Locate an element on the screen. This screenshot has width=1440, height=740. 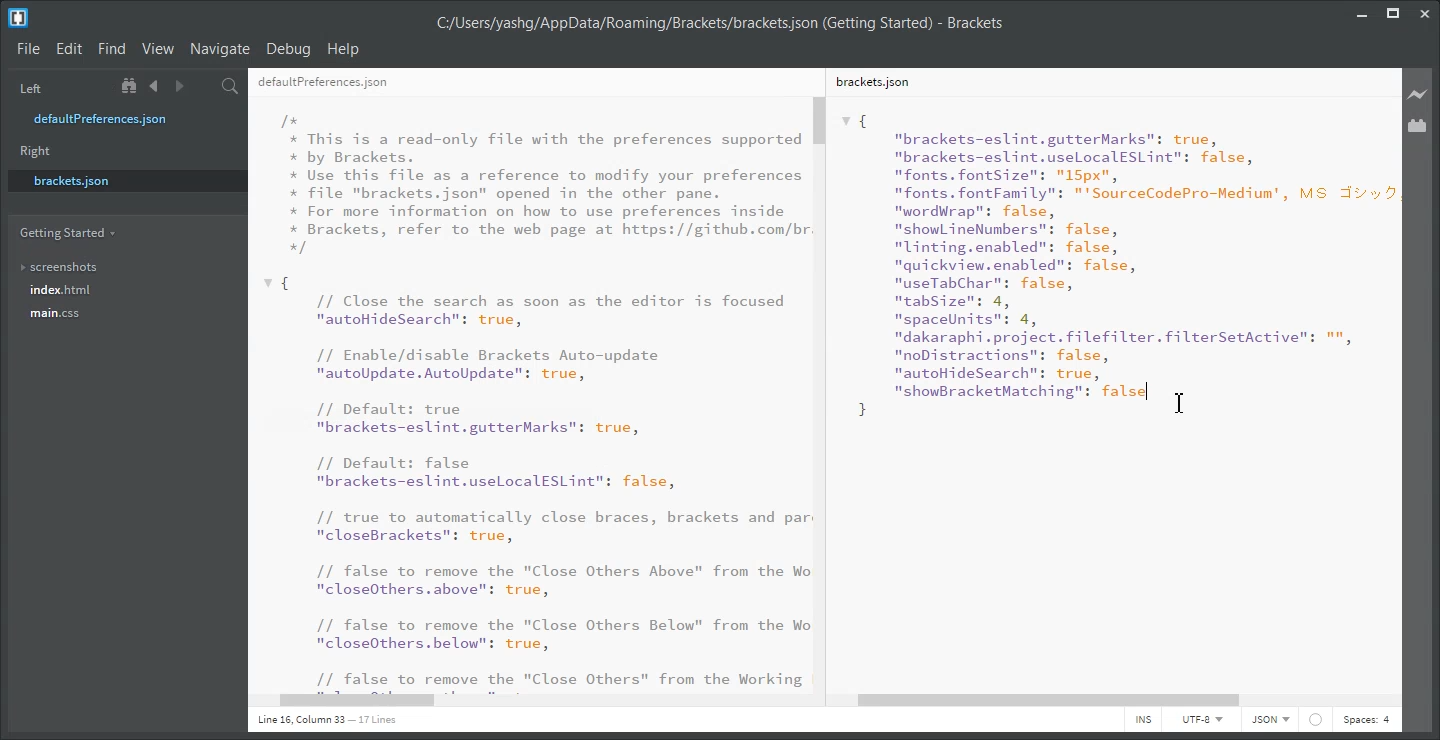
Debug is located at coordinates (289, 50).